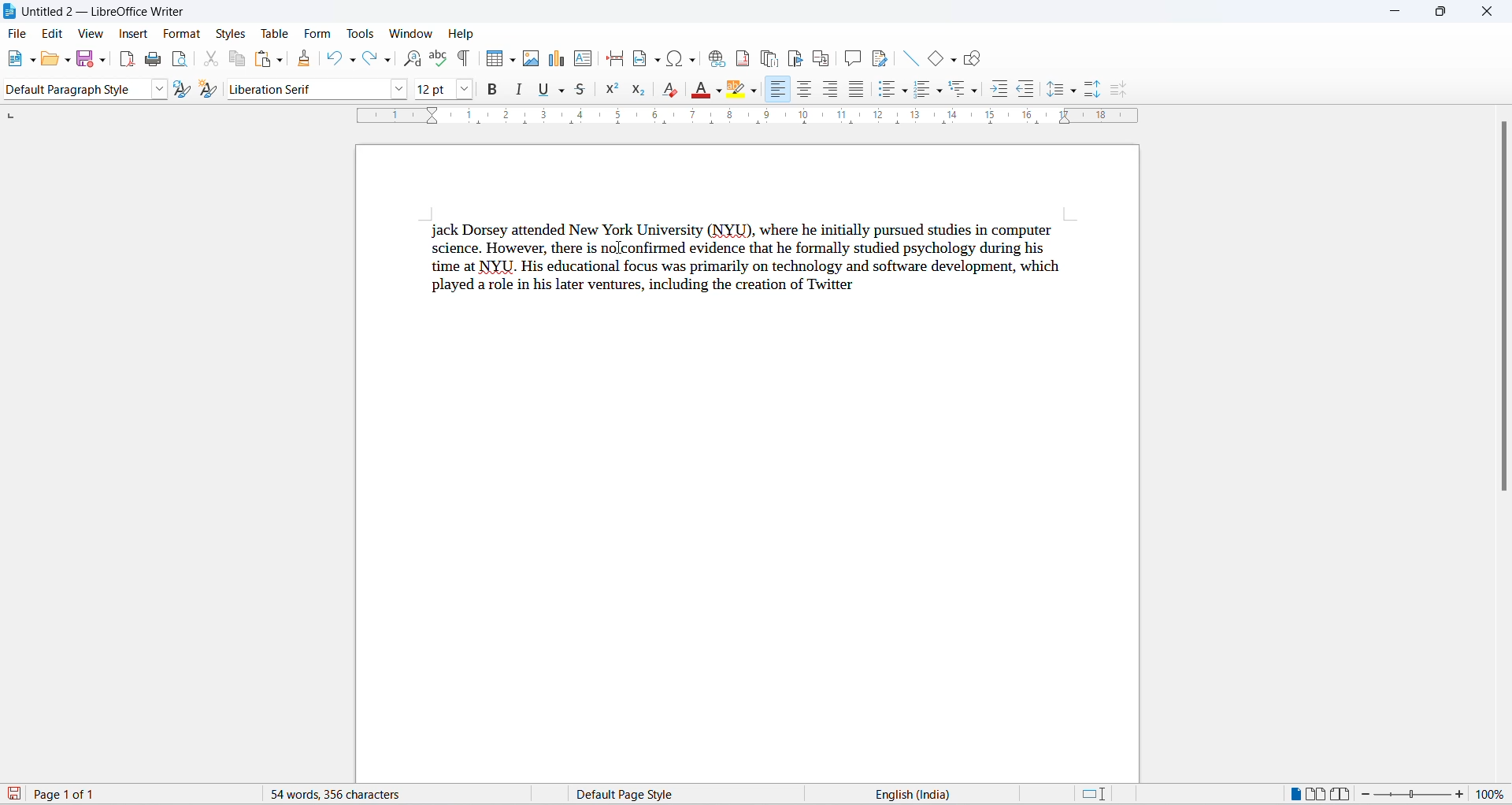  I want to click on undo, so click(334, 57).